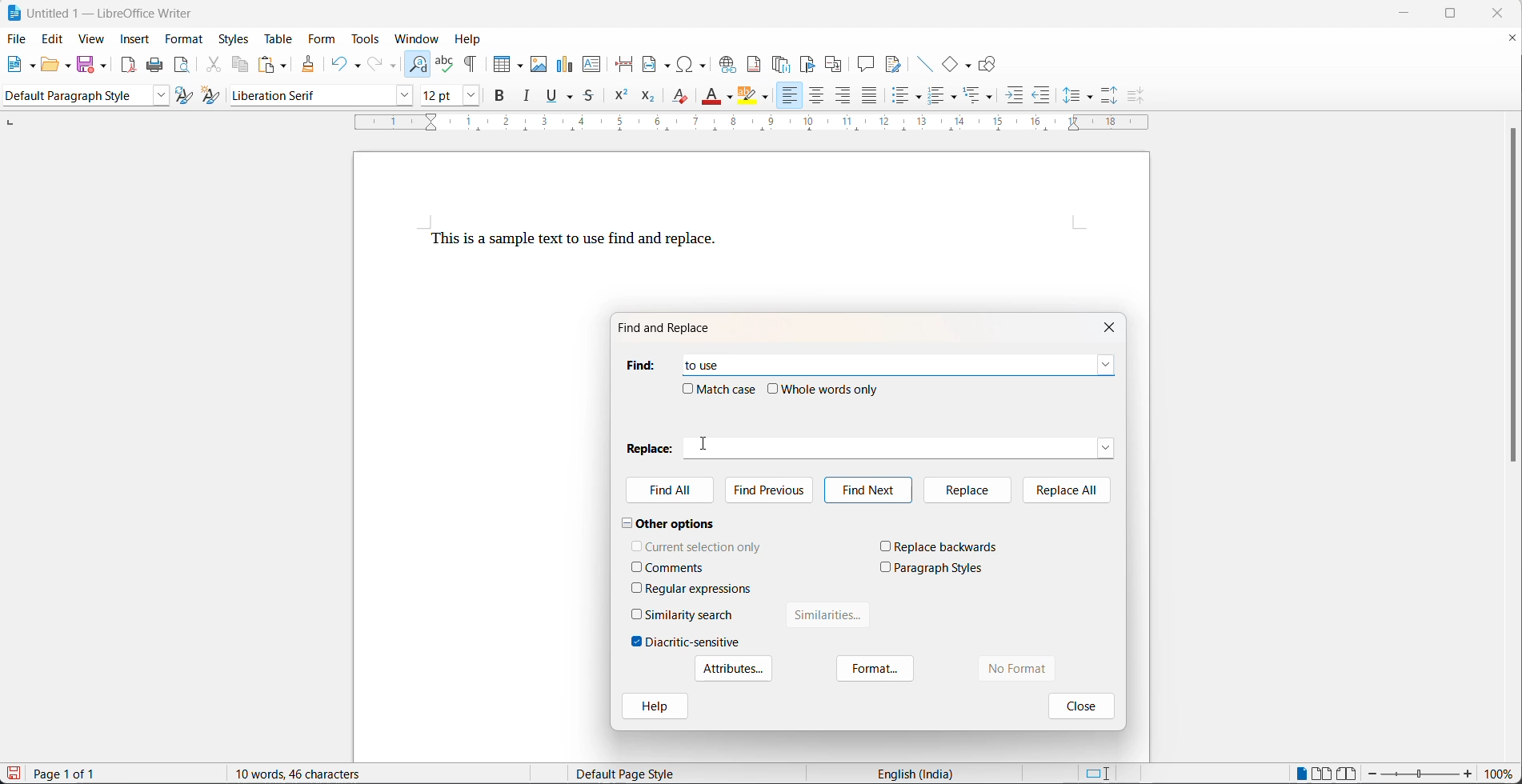 The image size is (1522, 784). What do you see at coordinates (920, 98) in the screenshot?
I see `toggle unordered list options` at bounding box center [920, 98].